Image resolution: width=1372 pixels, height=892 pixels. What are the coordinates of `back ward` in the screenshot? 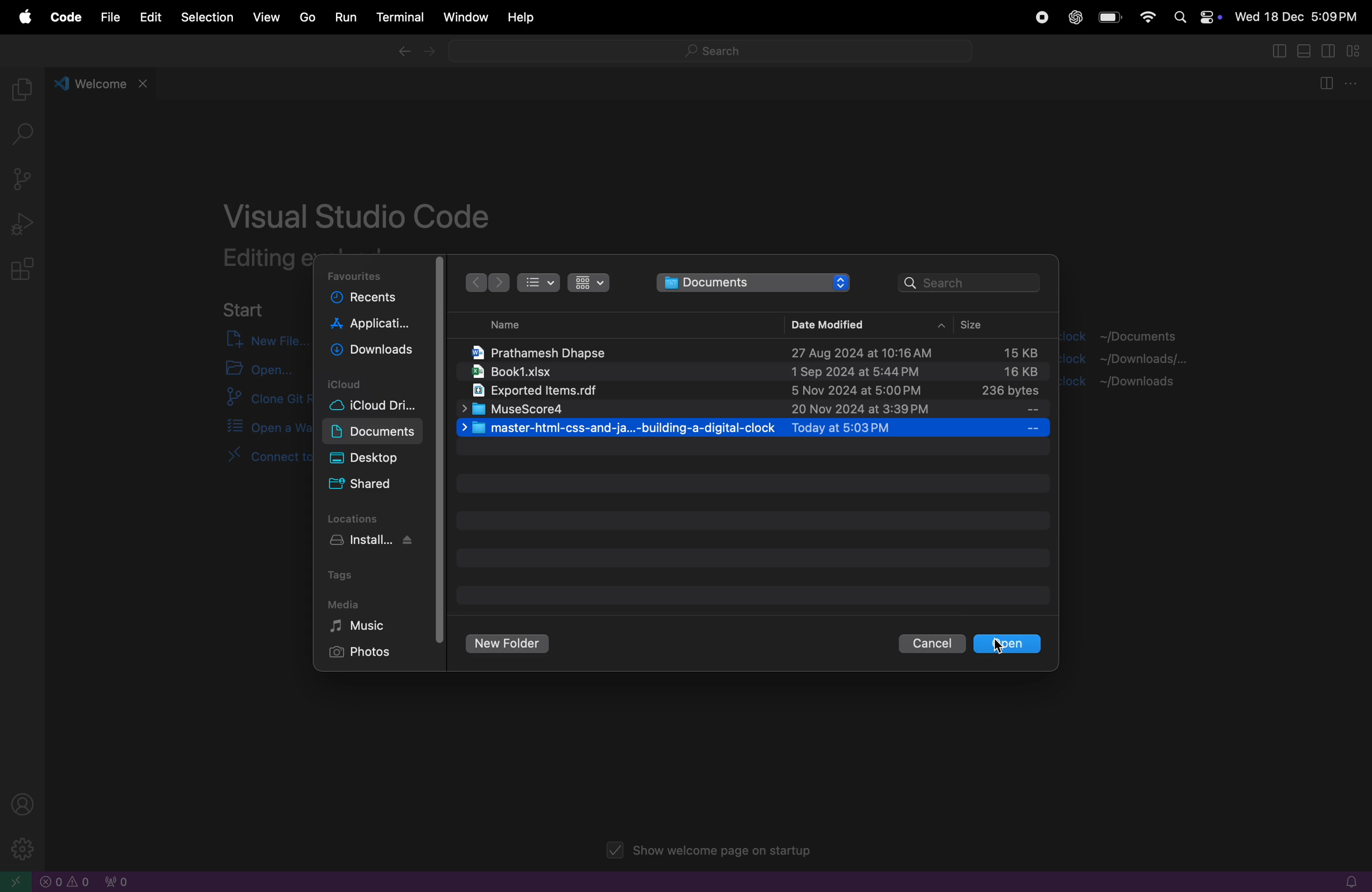 It's located at (474, 282).